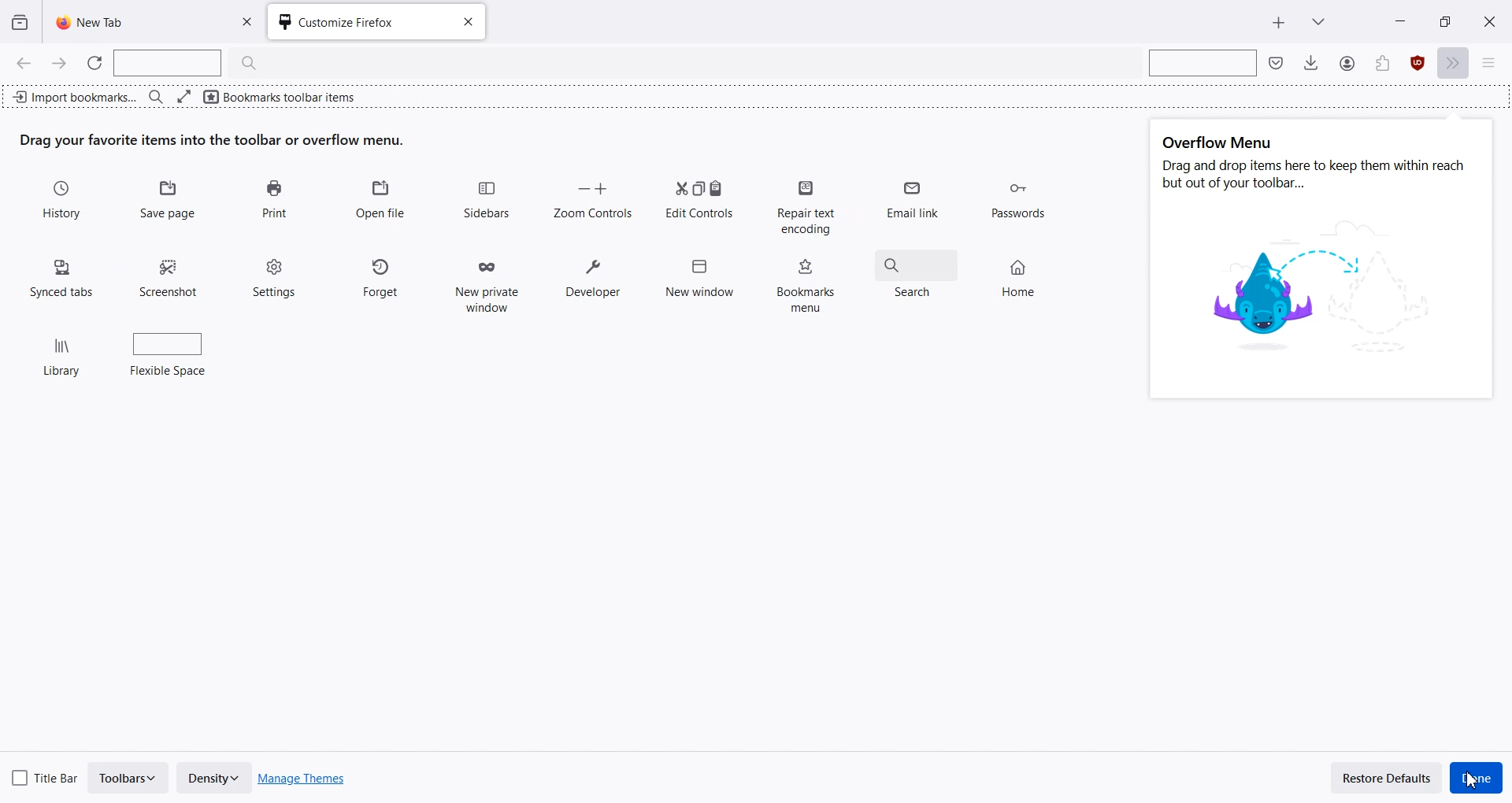  I want to click on Home, so click(1025, 271).